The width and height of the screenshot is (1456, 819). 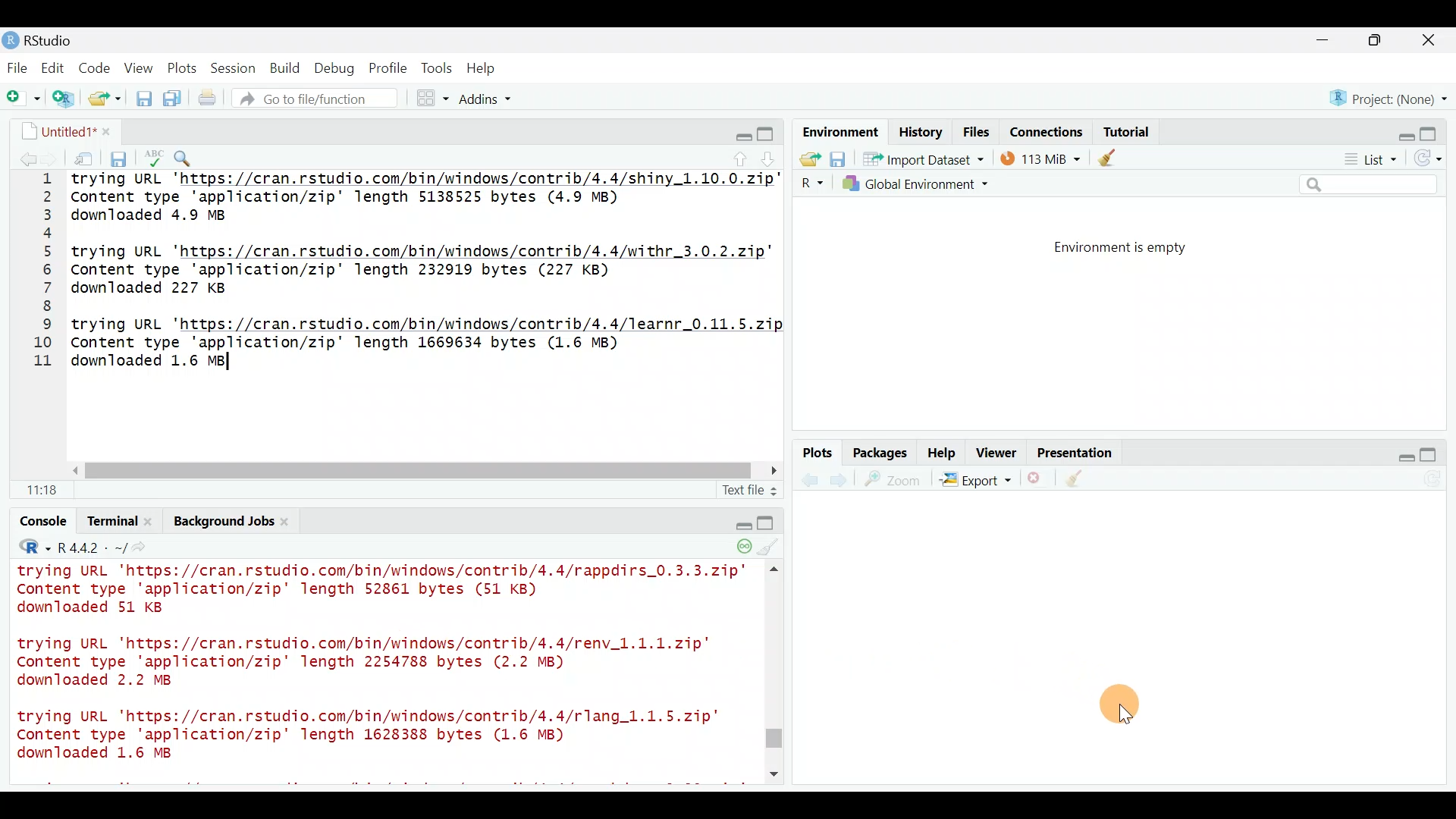 I want to click on Packages, so click(x=879, y=452).